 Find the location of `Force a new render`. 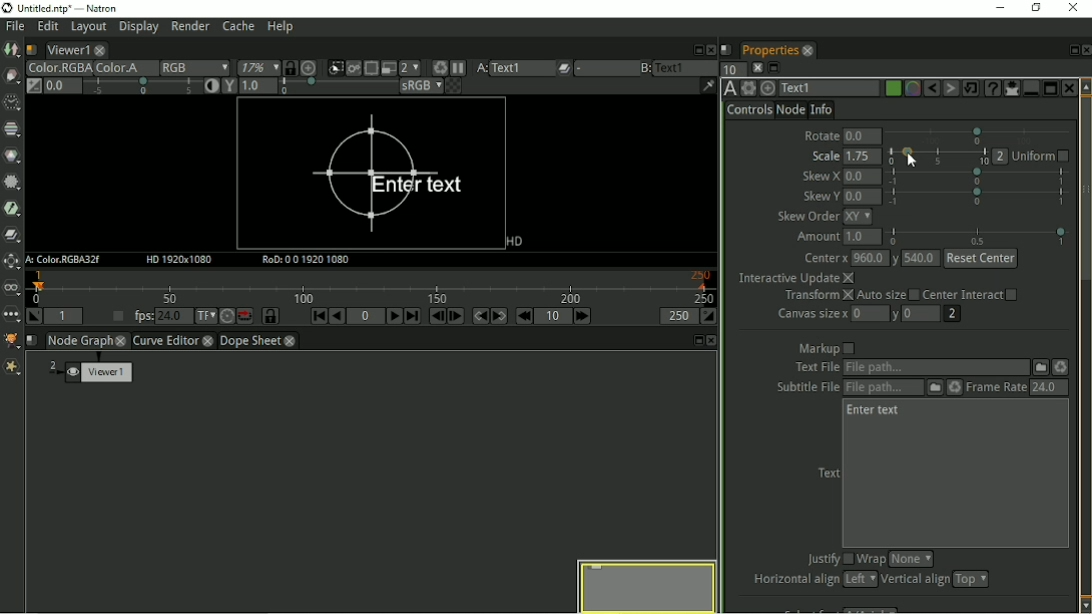

Force a new render is located at coordinates (438, 67).